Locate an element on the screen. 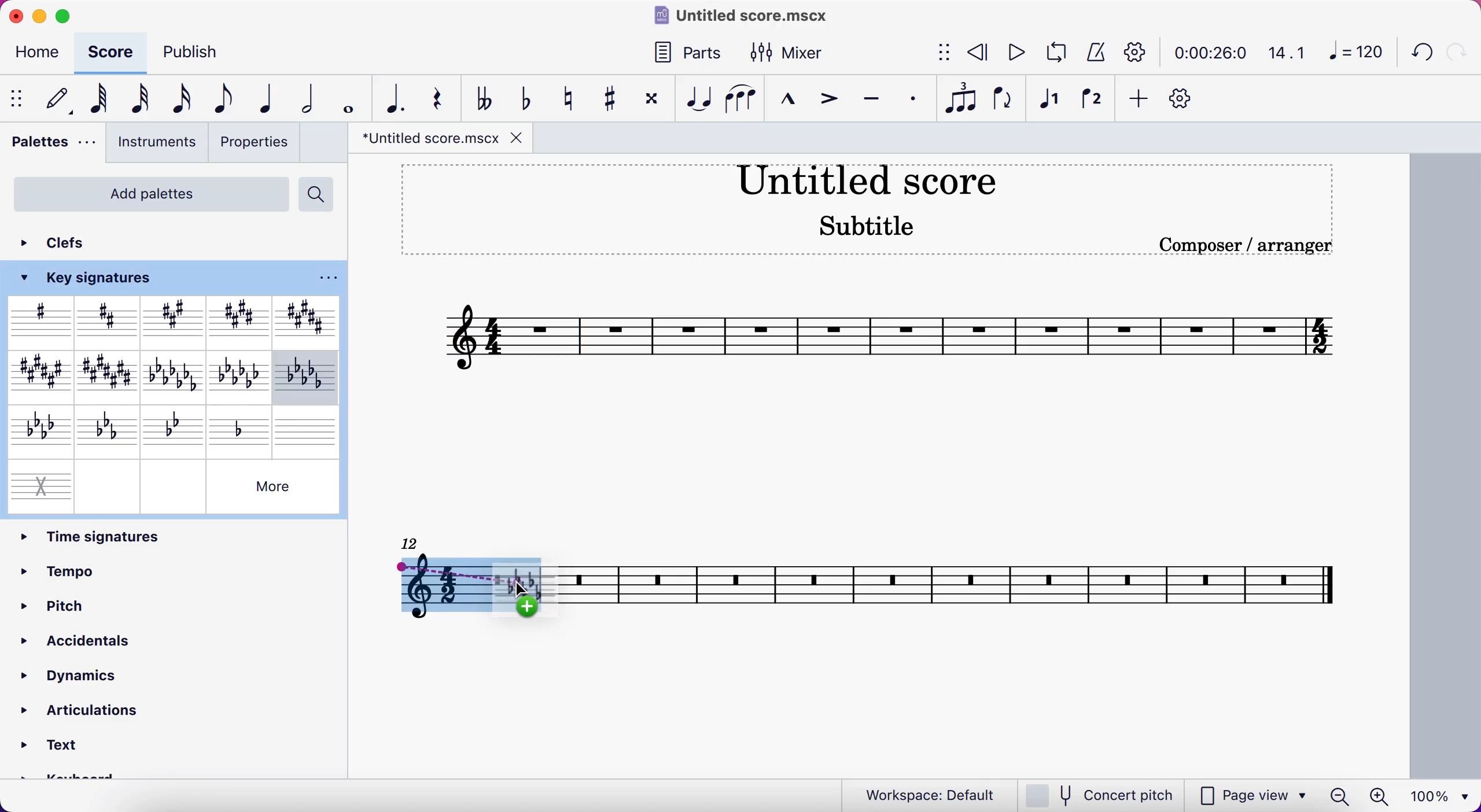  rewind is located at coordinates (978, 53).